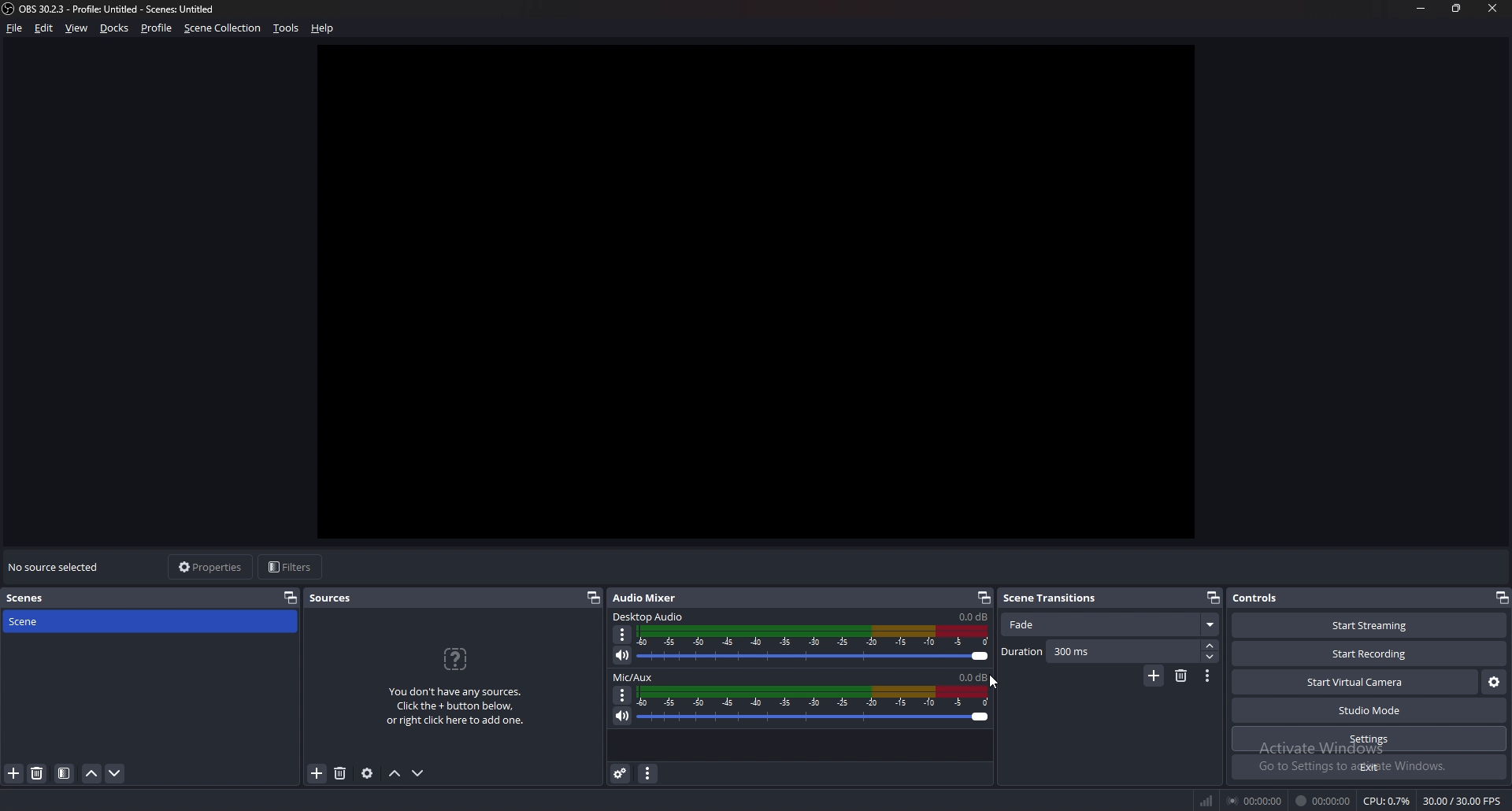 The height and width of the screenshot is (811, 1512). What do you see at coordinates (1254, 801) in the screenshot?
I see `00:00:00` at bounding box center [1254, 801].